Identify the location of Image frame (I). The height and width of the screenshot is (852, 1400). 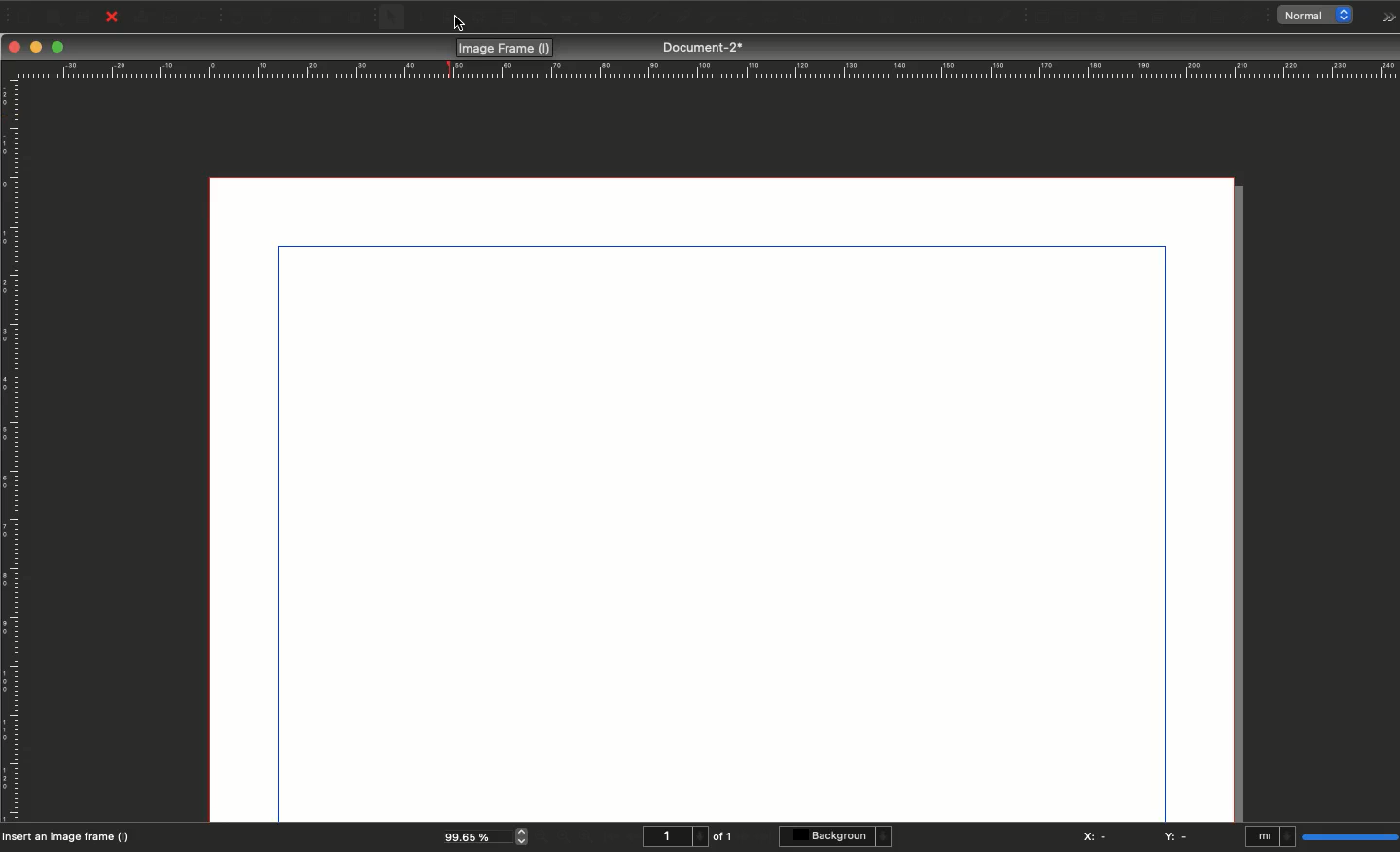
(507, 49).